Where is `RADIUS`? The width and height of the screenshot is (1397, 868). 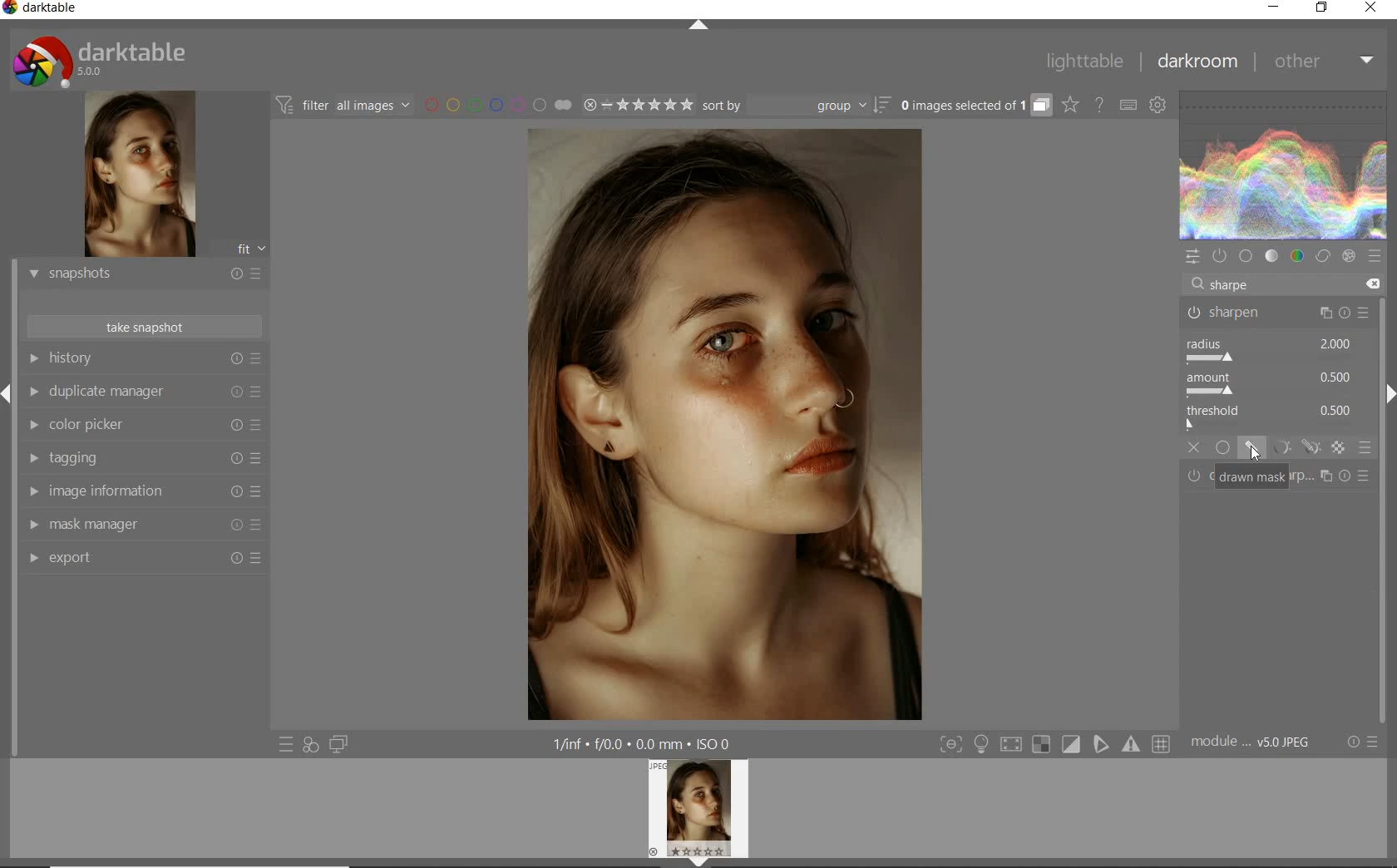
RADIUS is located at coordinates (1270, 350).